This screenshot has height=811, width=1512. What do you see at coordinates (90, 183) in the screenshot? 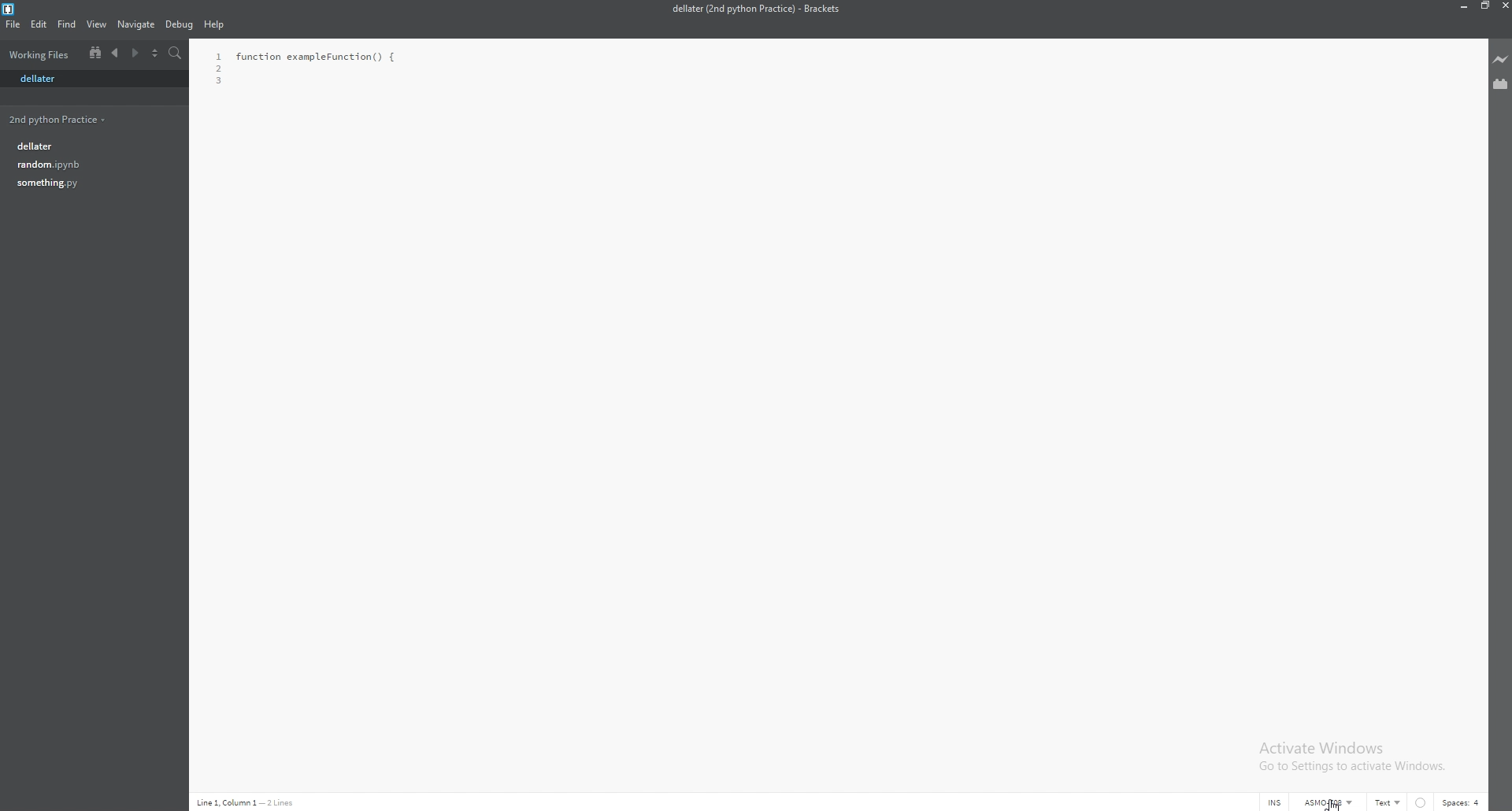
I see `something.py` at bounding box center [90, 183].